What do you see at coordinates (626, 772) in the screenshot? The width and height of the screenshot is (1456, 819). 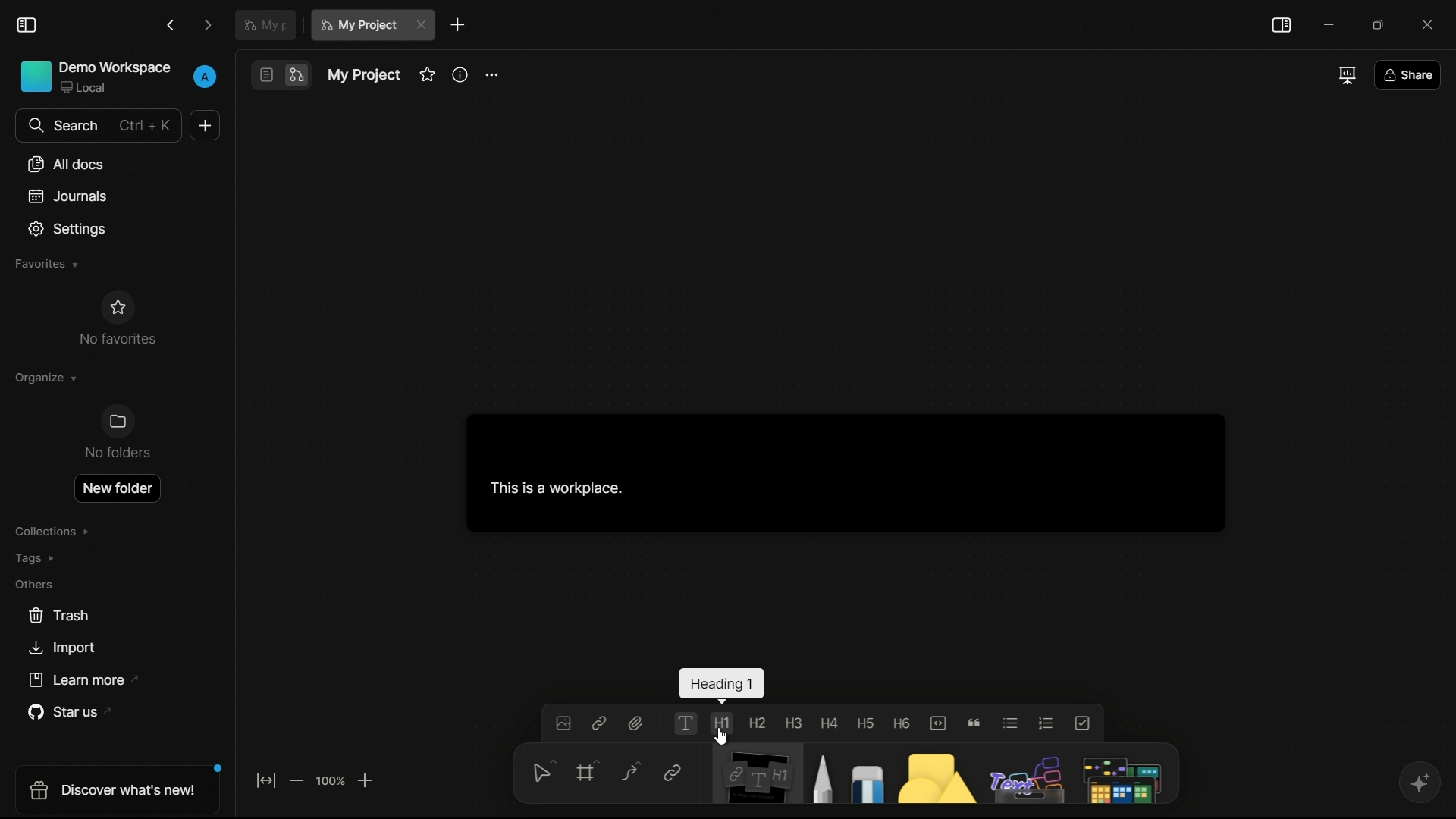 I see `connector` at bounding box center [626, 772].